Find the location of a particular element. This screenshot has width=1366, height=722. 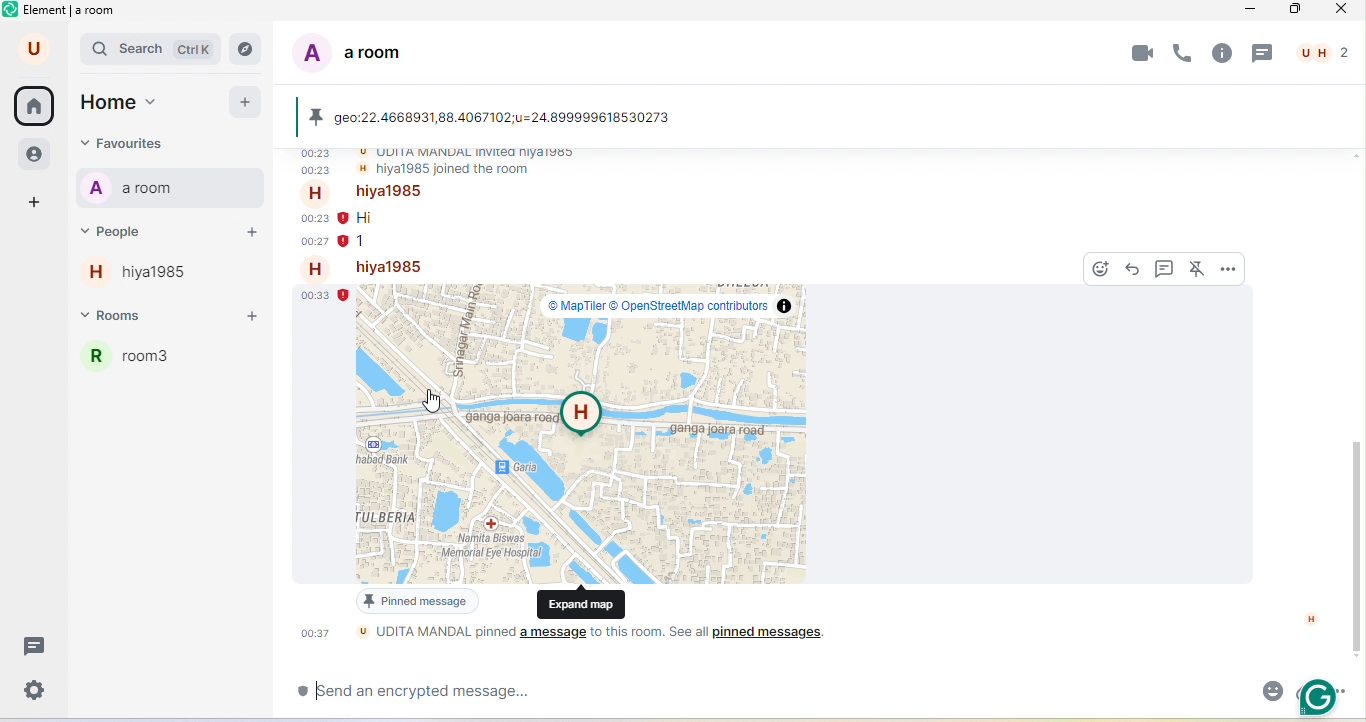

reply in thread is located at coordinates (1165, 268).